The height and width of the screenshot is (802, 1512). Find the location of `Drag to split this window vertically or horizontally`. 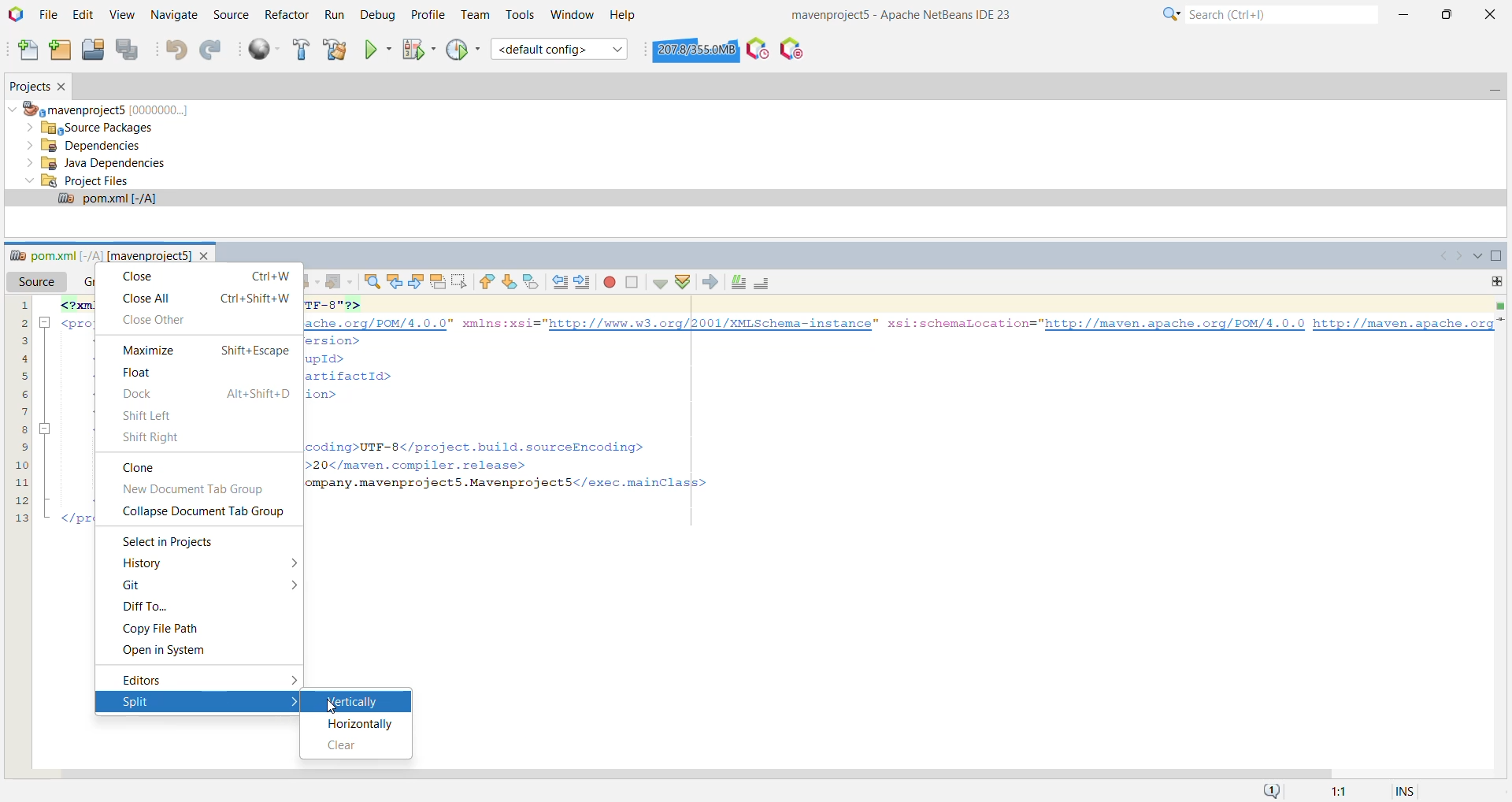

Drag to split this window vertically or horizontally is located at coordinates (1496, 281).